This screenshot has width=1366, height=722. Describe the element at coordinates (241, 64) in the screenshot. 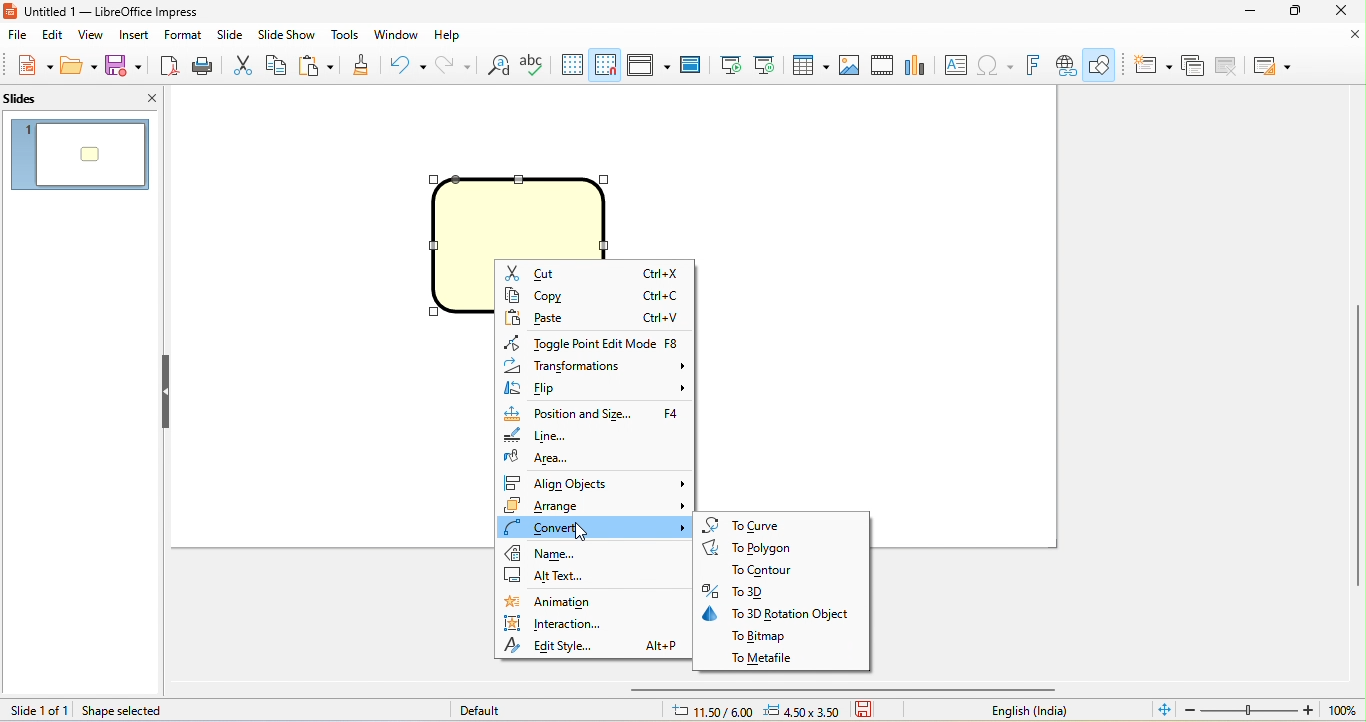

I see `cut` at that location.